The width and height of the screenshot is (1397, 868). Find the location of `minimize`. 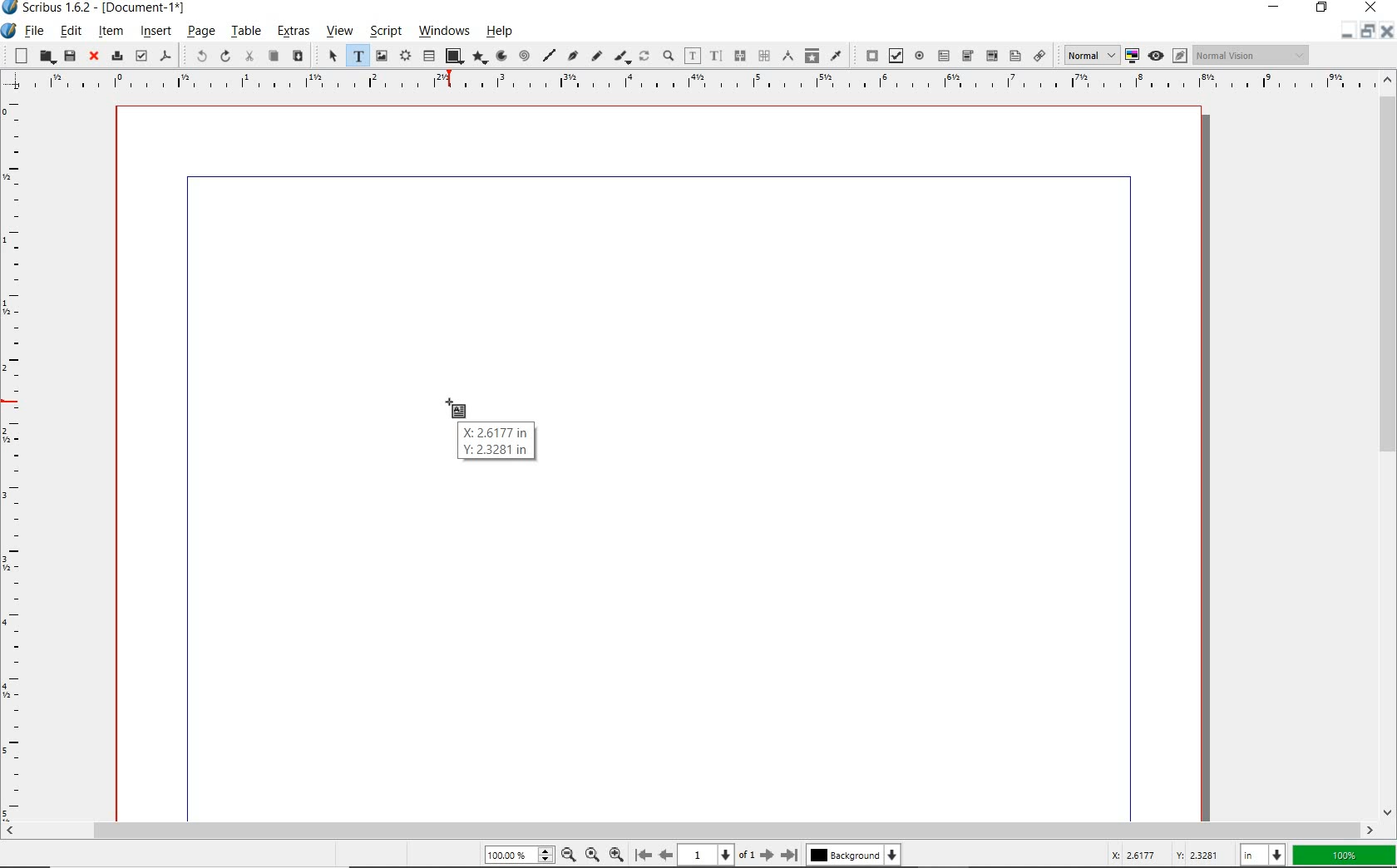

minimize is located at coordinates (1365, 32).